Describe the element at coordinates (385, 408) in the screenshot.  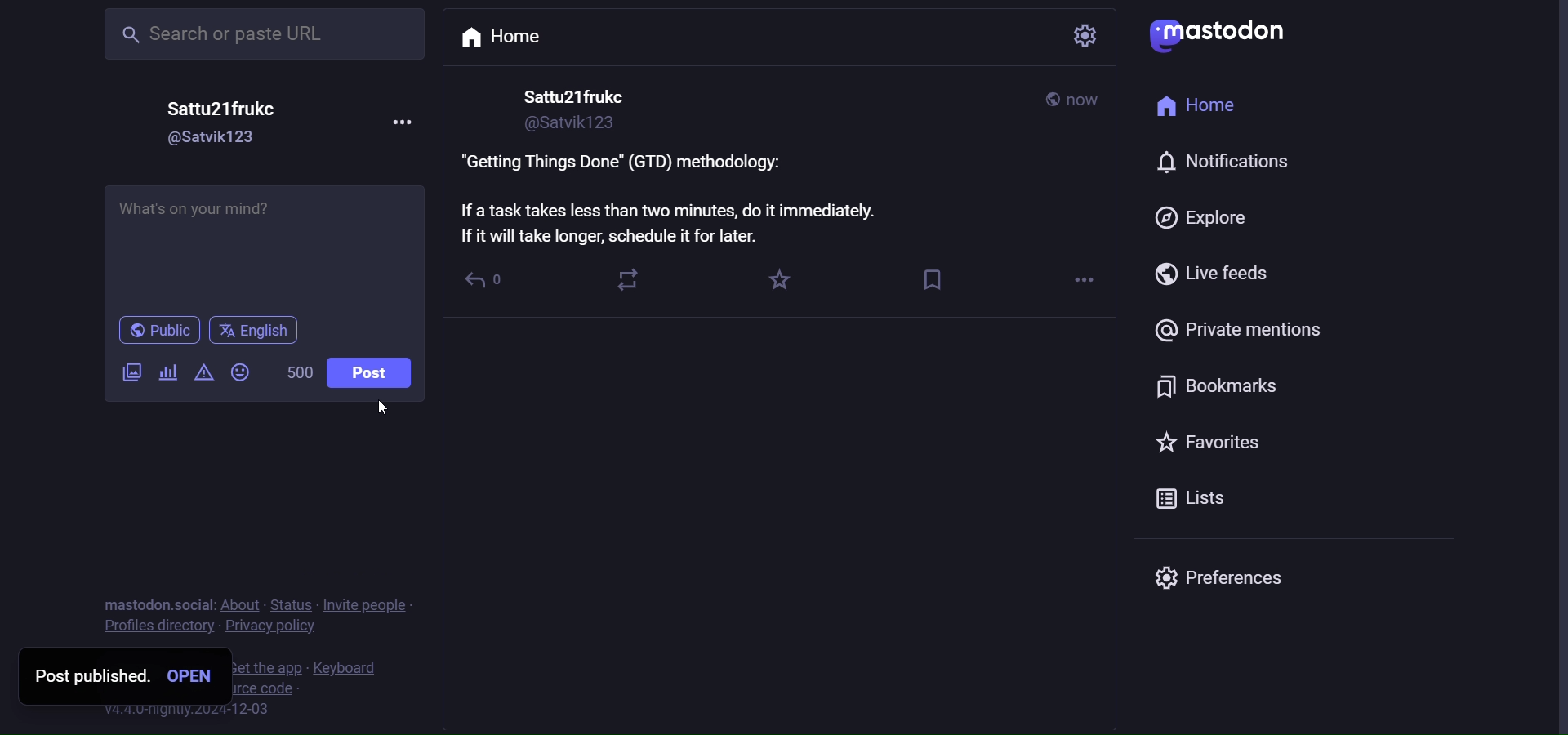
I see `cursor` at that location.